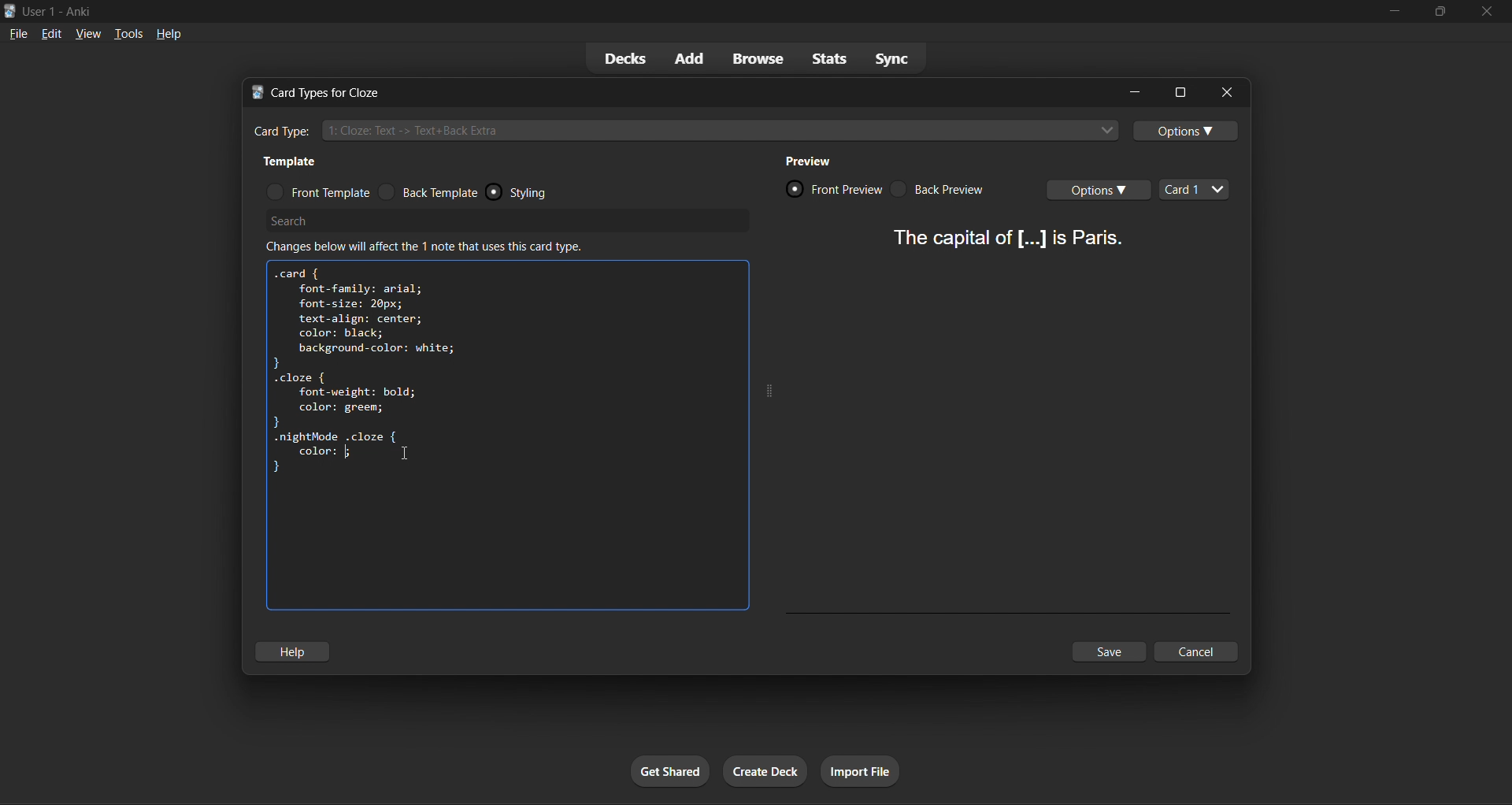  I want to click on stats, so click(828, 60).